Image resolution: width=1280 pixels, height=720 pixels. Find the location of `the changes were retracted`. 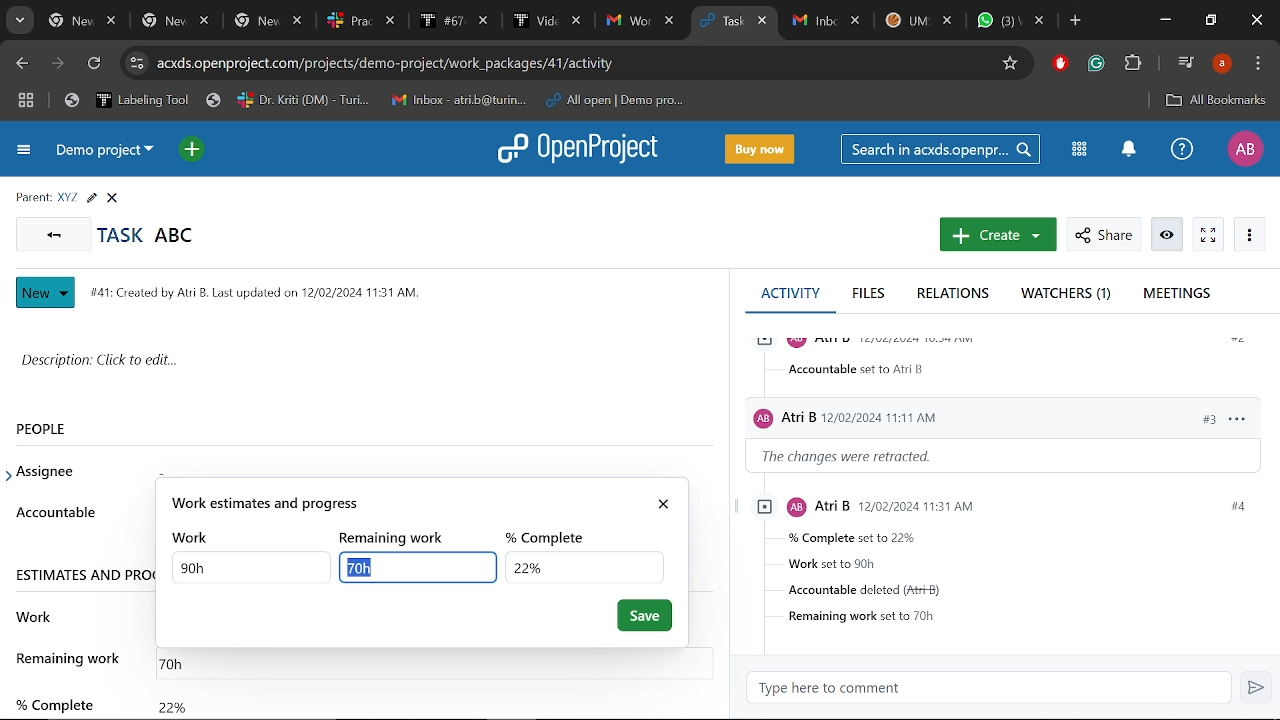

the changes were retracted is located at coordinates (860, 457).